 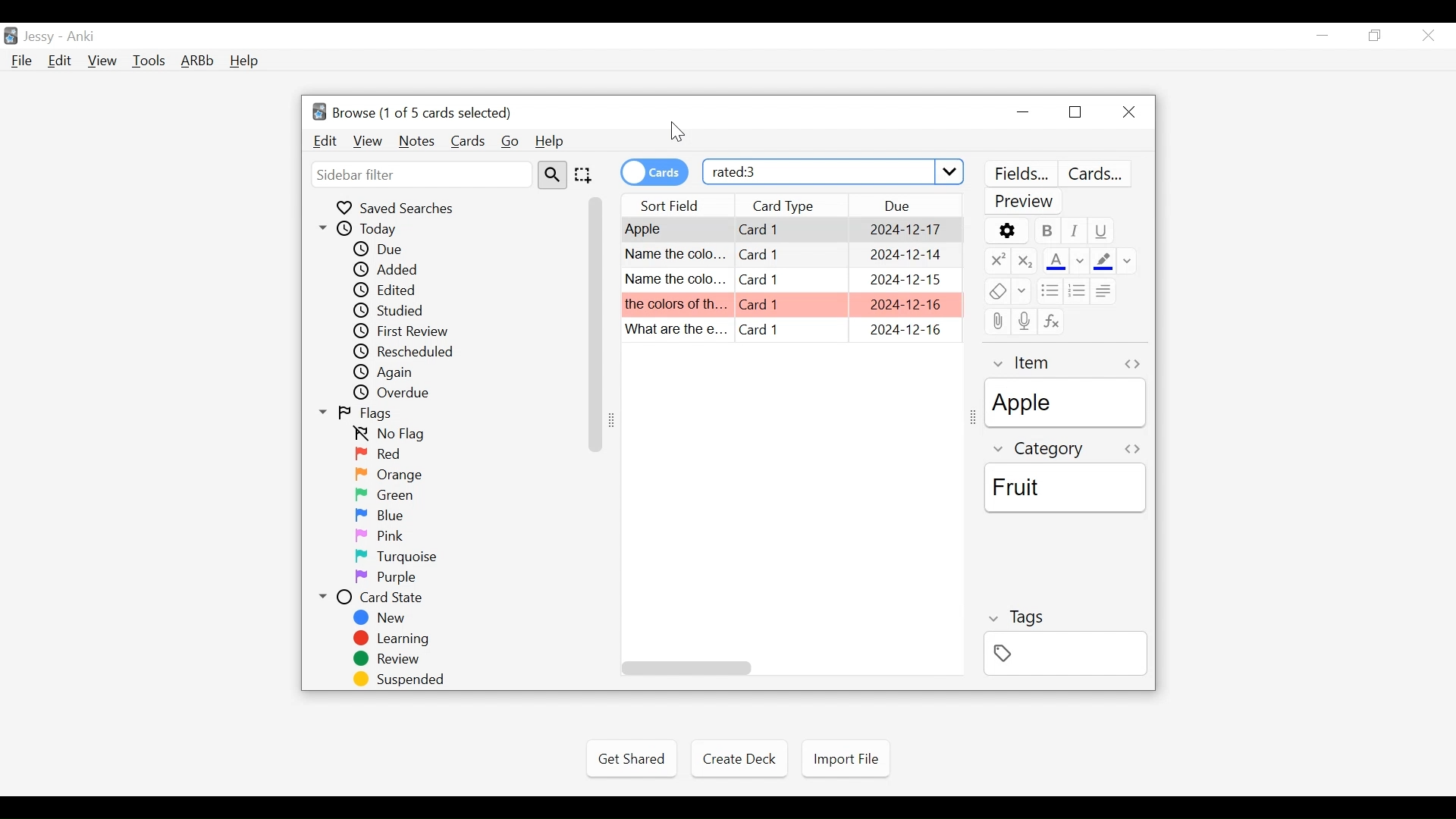 What do you see at coordinates (1064, 653) in the screenshot?
I see `Tags Fiel` at bounding box center [1064, 653].